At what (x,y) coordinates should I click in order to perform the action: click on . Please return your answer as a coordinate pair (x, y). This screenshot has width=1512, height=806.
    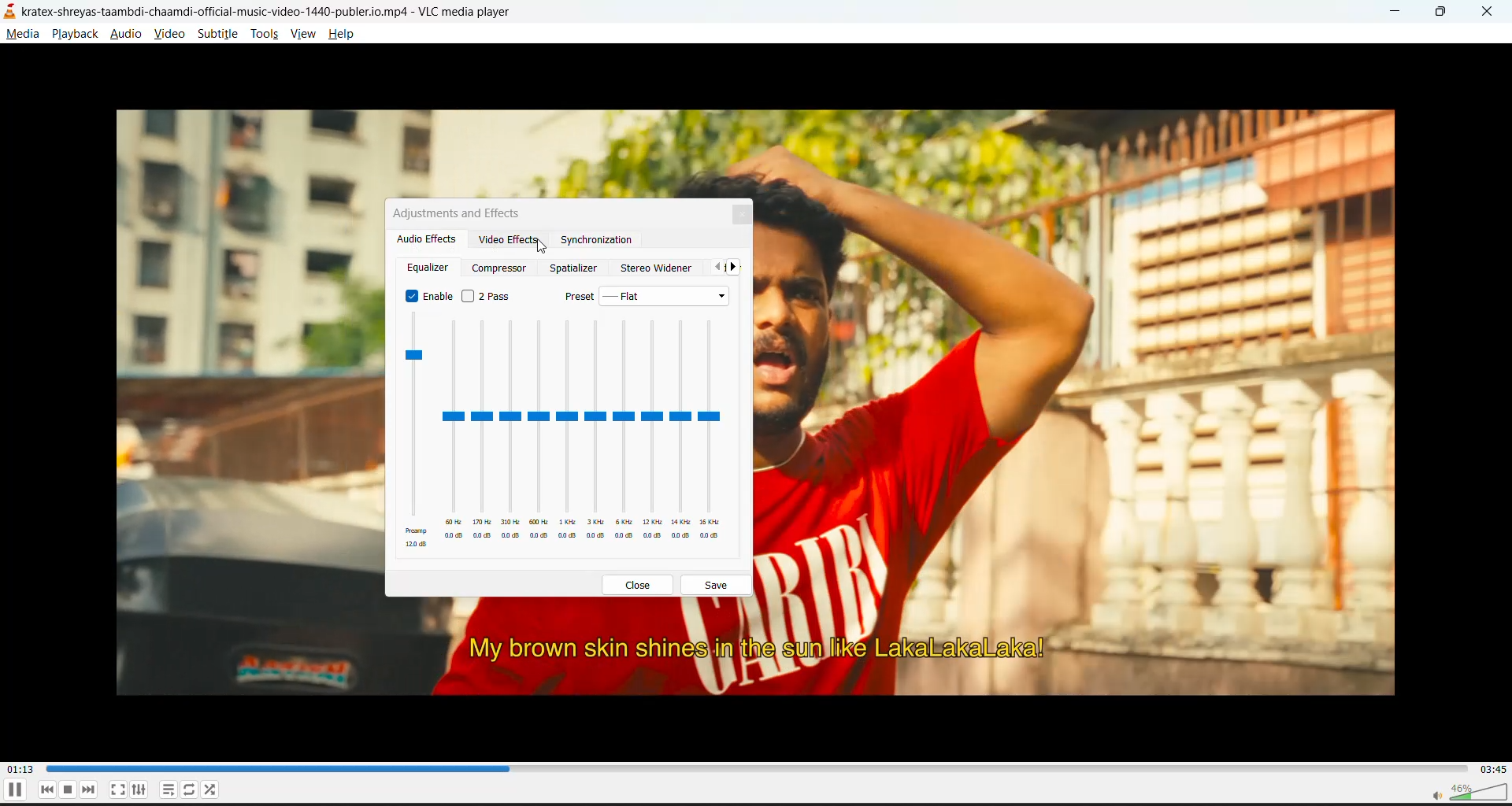
    Looking at the image, I should click on (712, 432).